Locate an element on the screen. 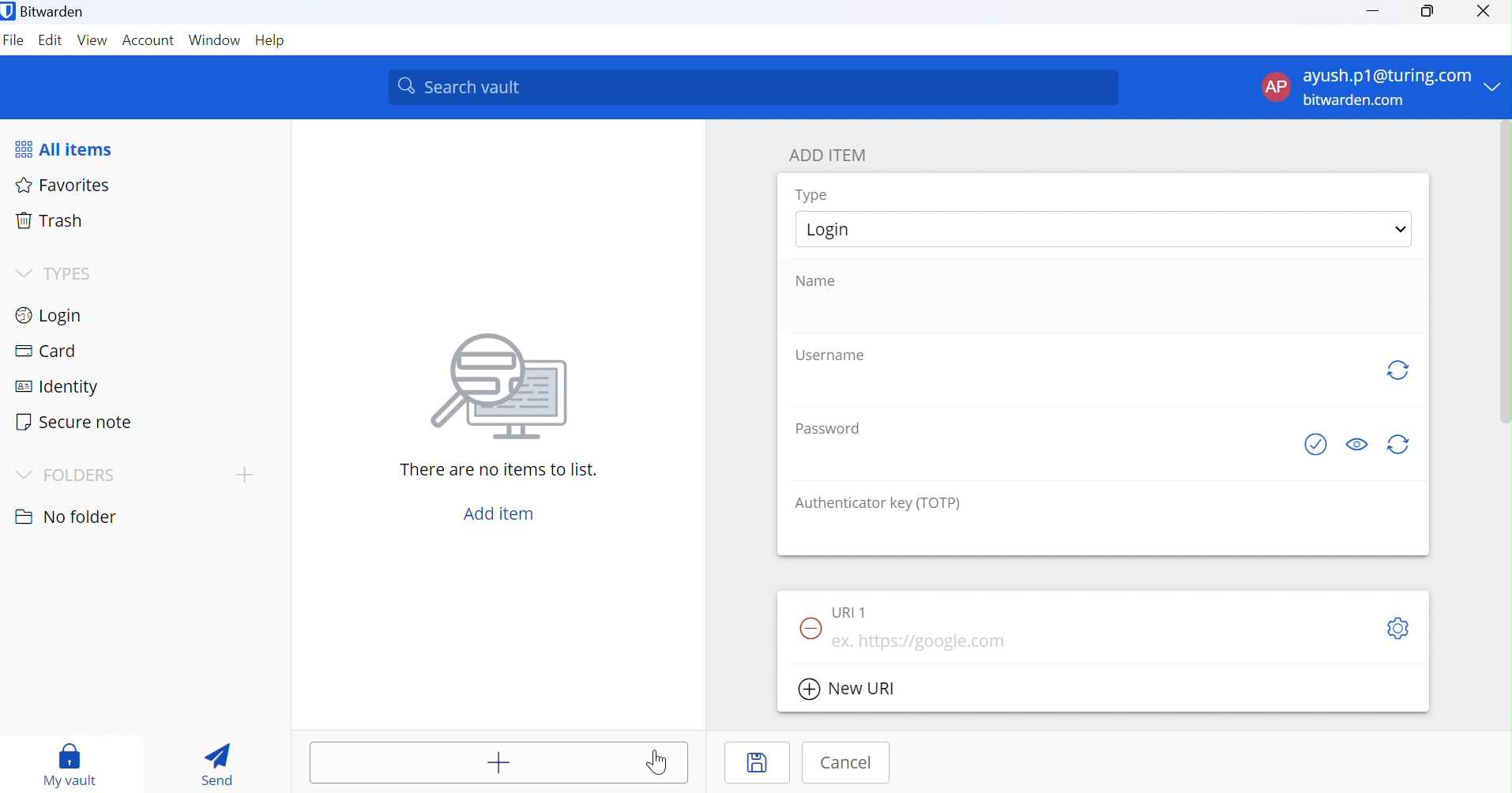  Card is located at coordinates (47, 352).